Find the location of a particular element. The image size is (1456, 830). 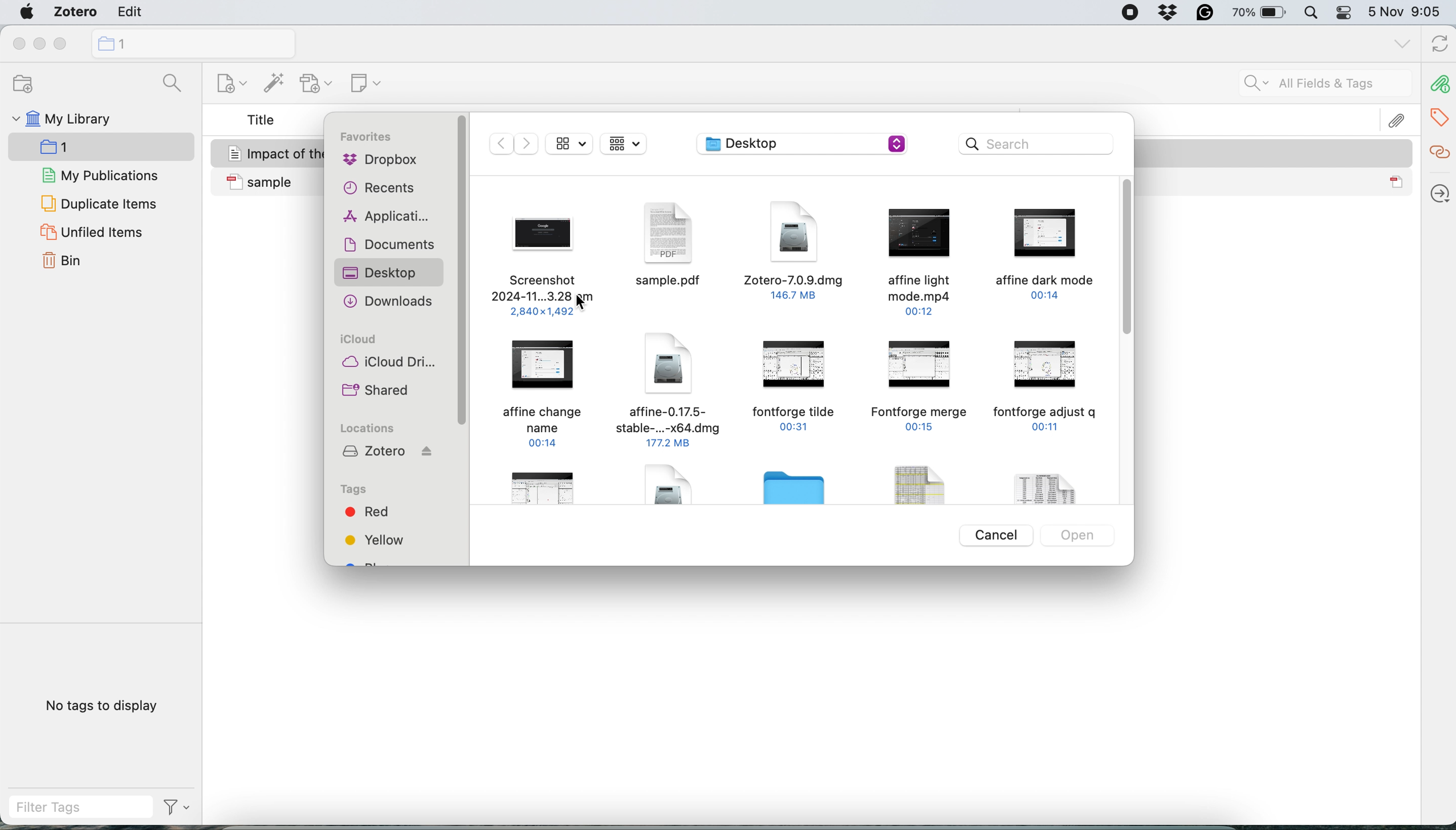

battery is located at coordinates (1255, 12).